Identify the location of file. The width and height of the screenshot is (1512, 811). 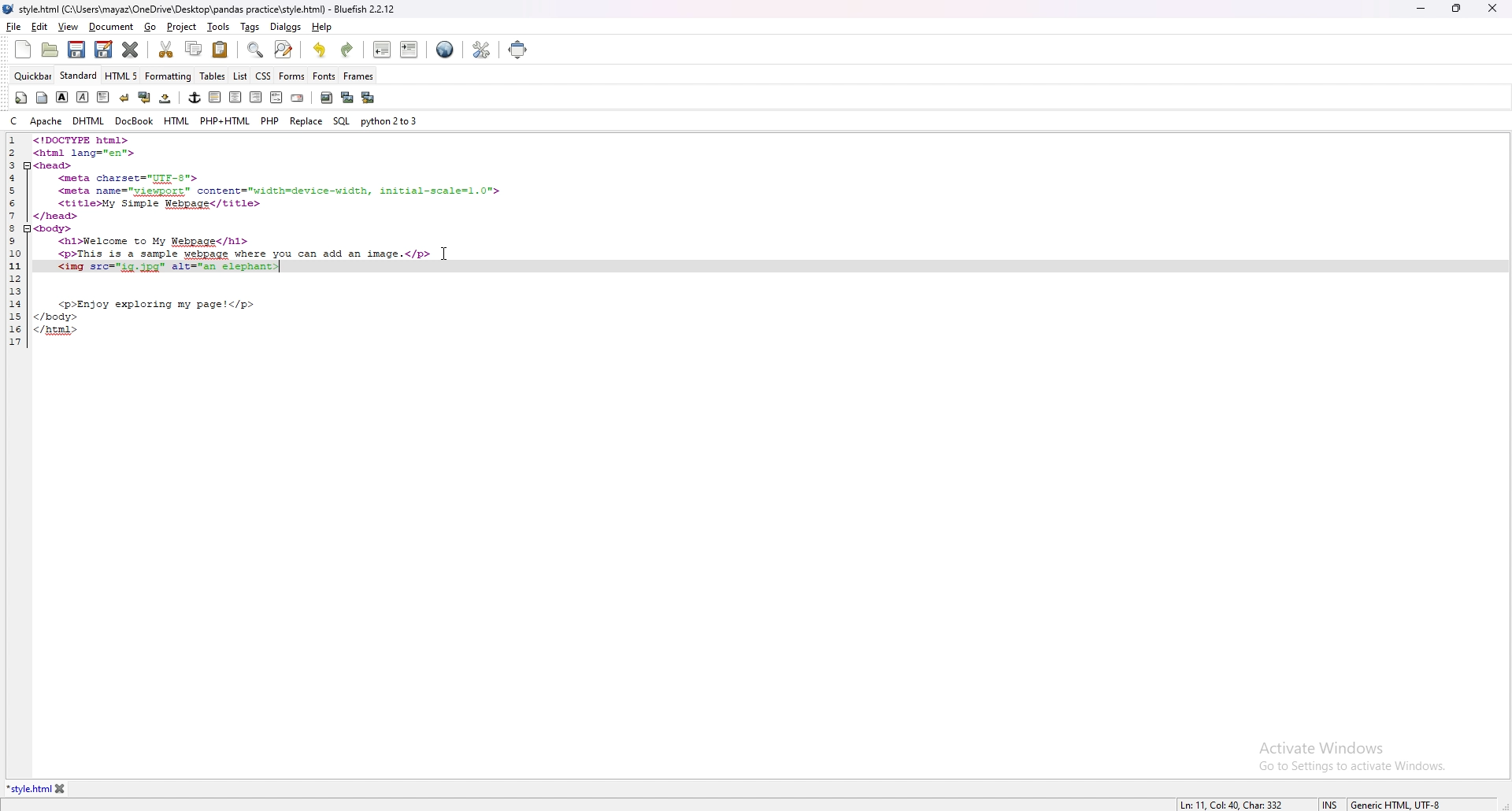
(14, 27).